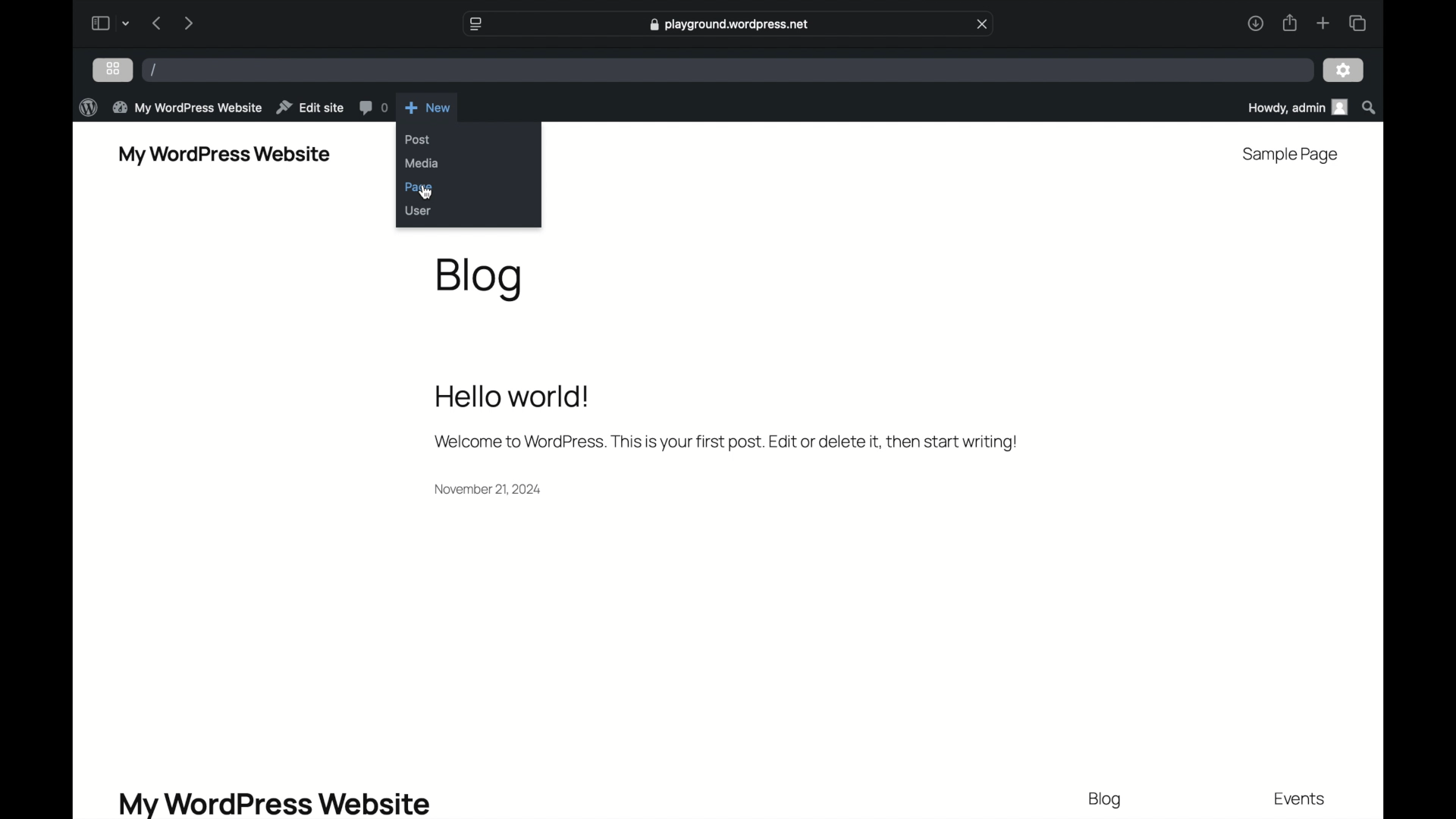 The image size is (1456, 819). What do you see at coordinates (1324, 23) in the screenshot?
I see `new tab` at bounding box center [1324, 23].